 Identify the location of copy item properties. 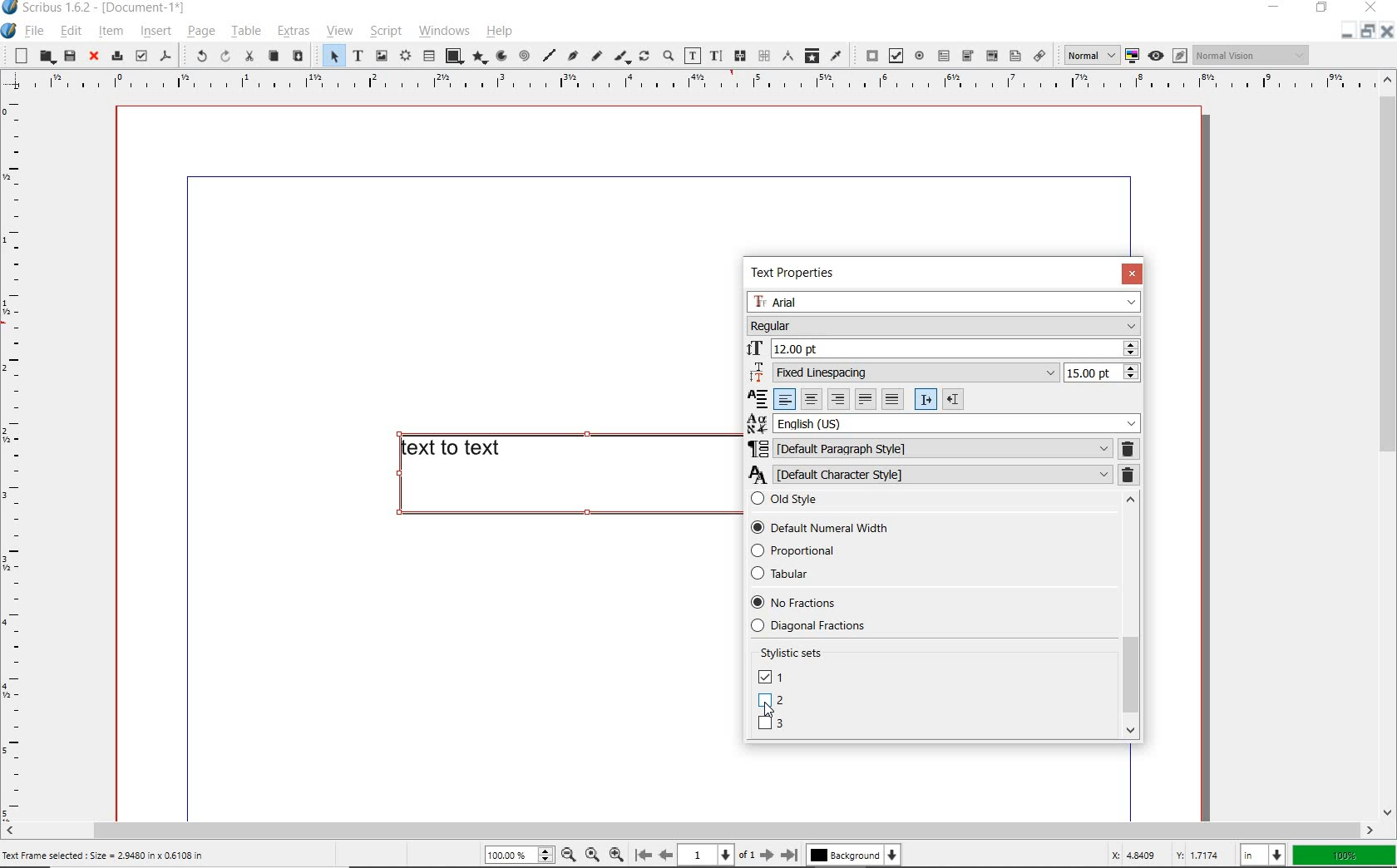
(812, 55).